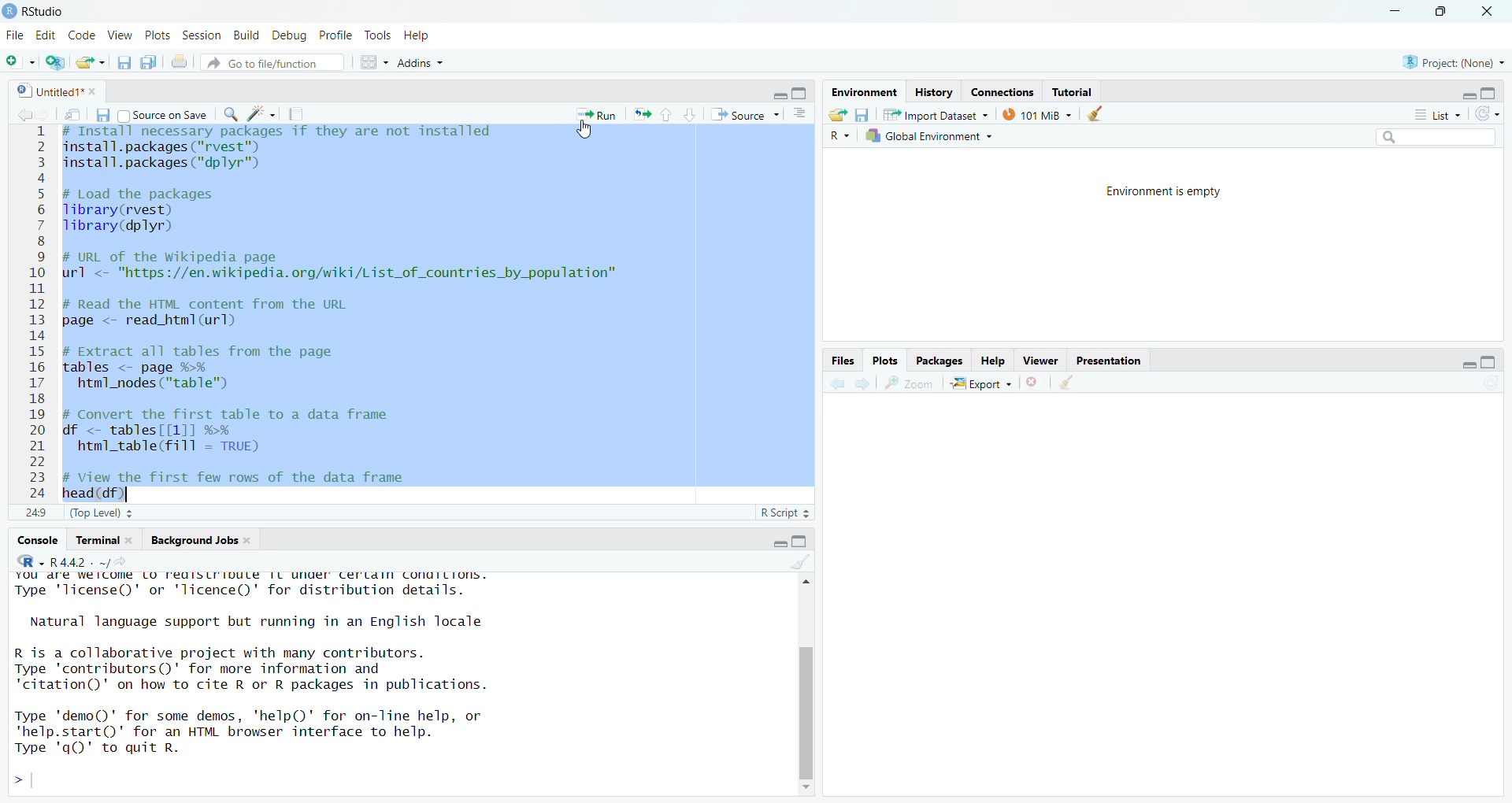 The image size is (1512, 803). I want to click on Background Jobs, so click(193, 540).